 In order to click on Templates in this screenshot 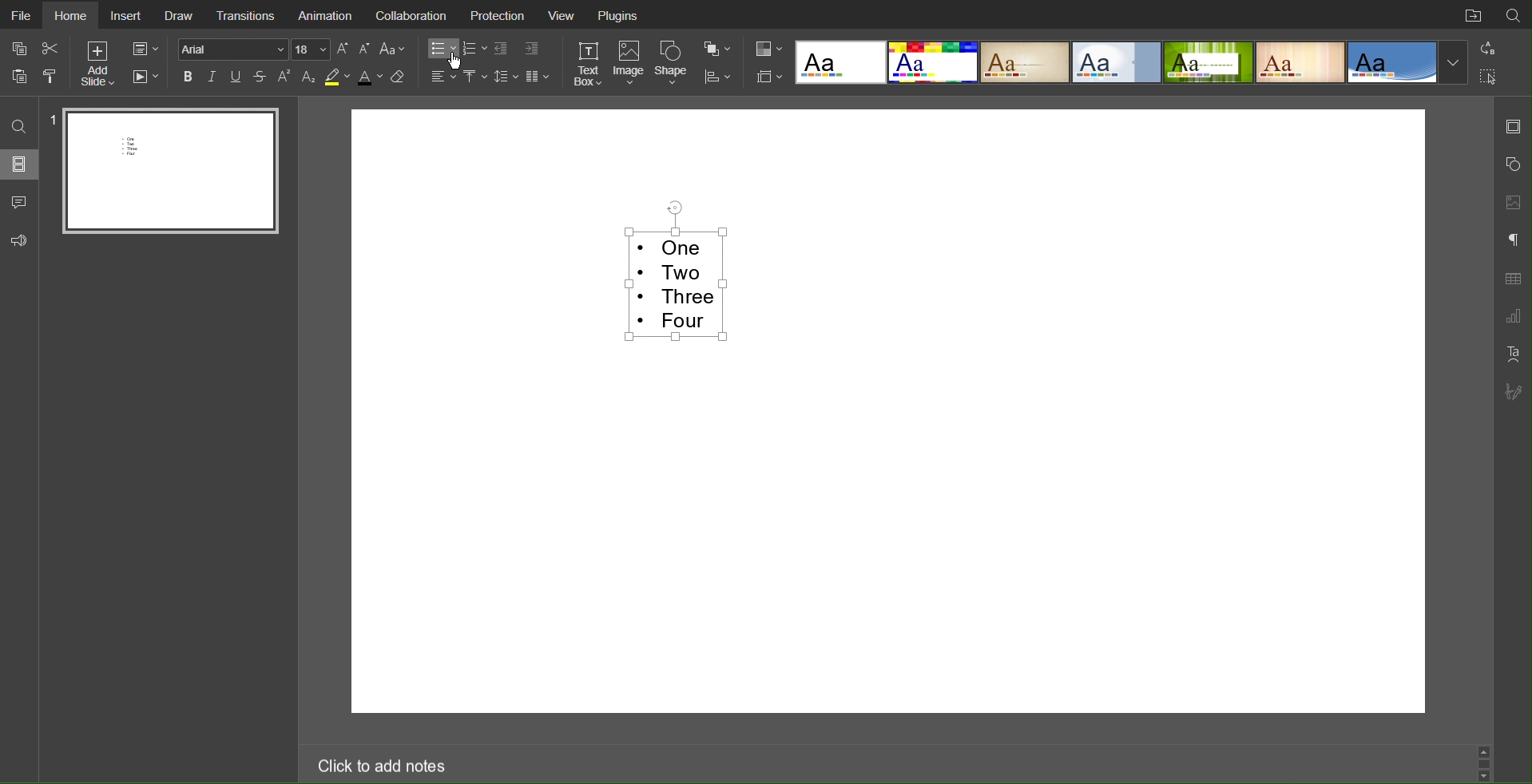, I will do `click(1130, 60)`.